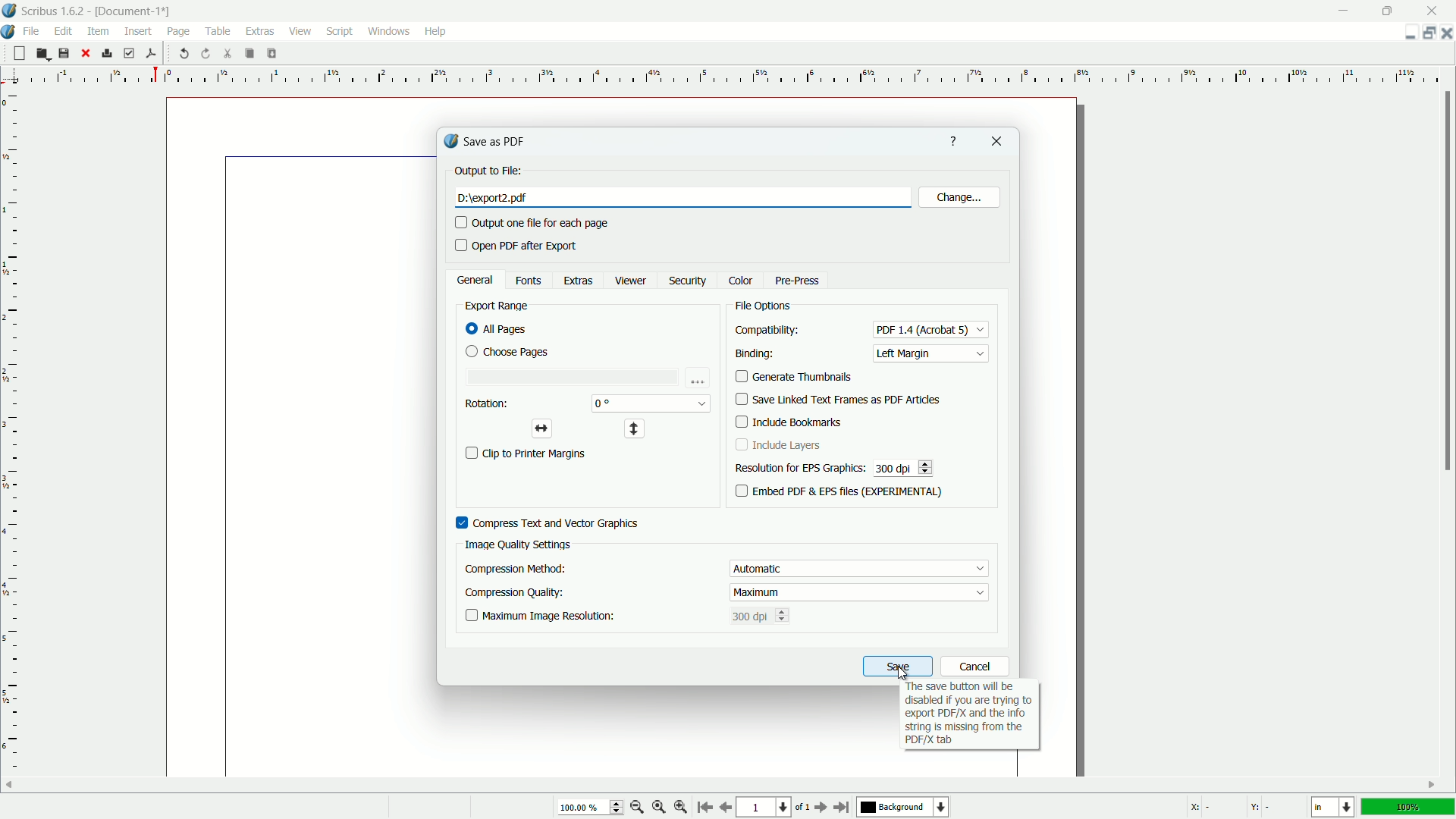 The width and height of the screenshot is (1456, 819). What do you see at coordinates (1432, 11) in the screenshot?
I see `close app` at bounding box center [1432, 11].